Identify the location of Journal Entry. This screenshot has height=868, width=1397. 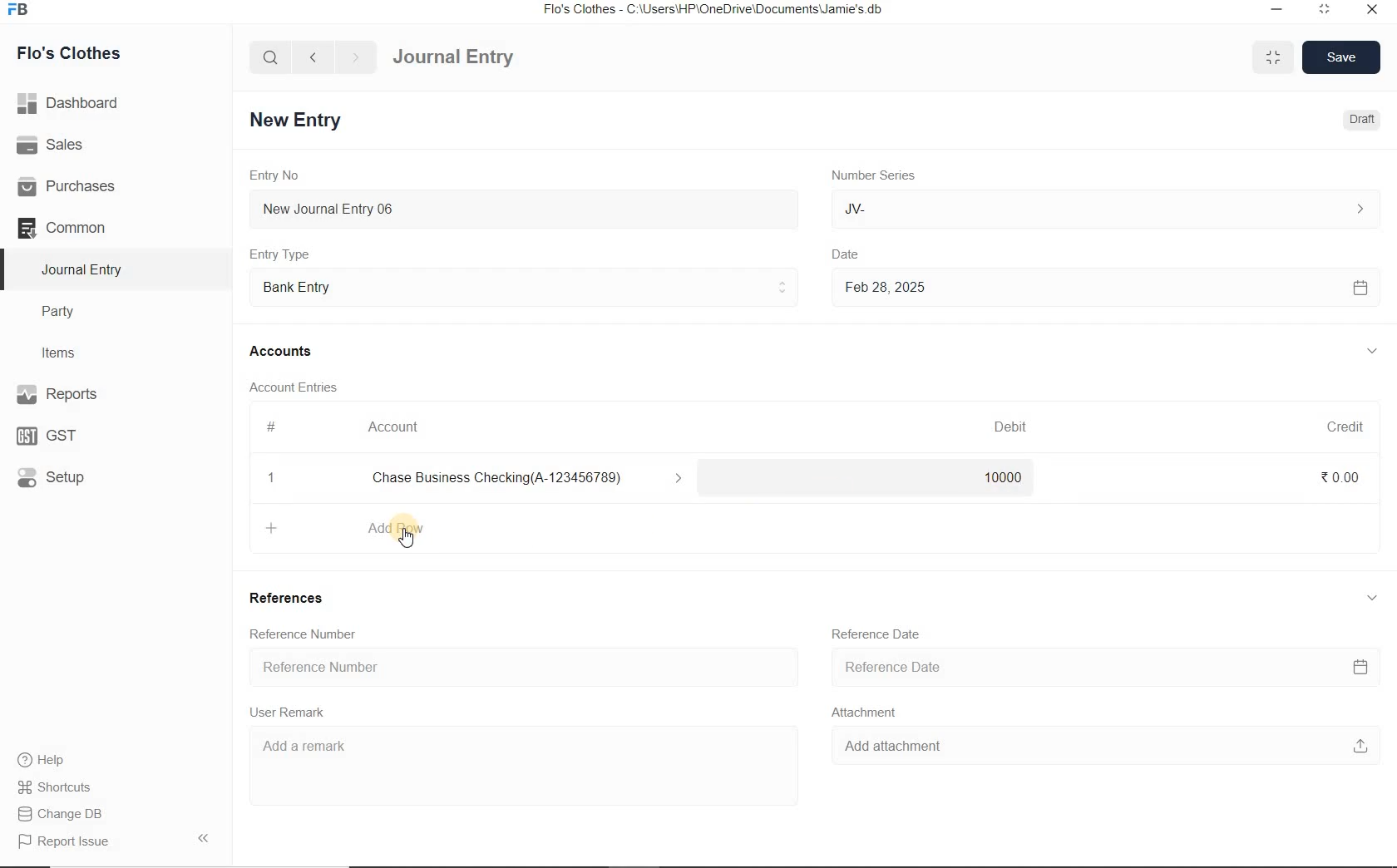
(483, 55).